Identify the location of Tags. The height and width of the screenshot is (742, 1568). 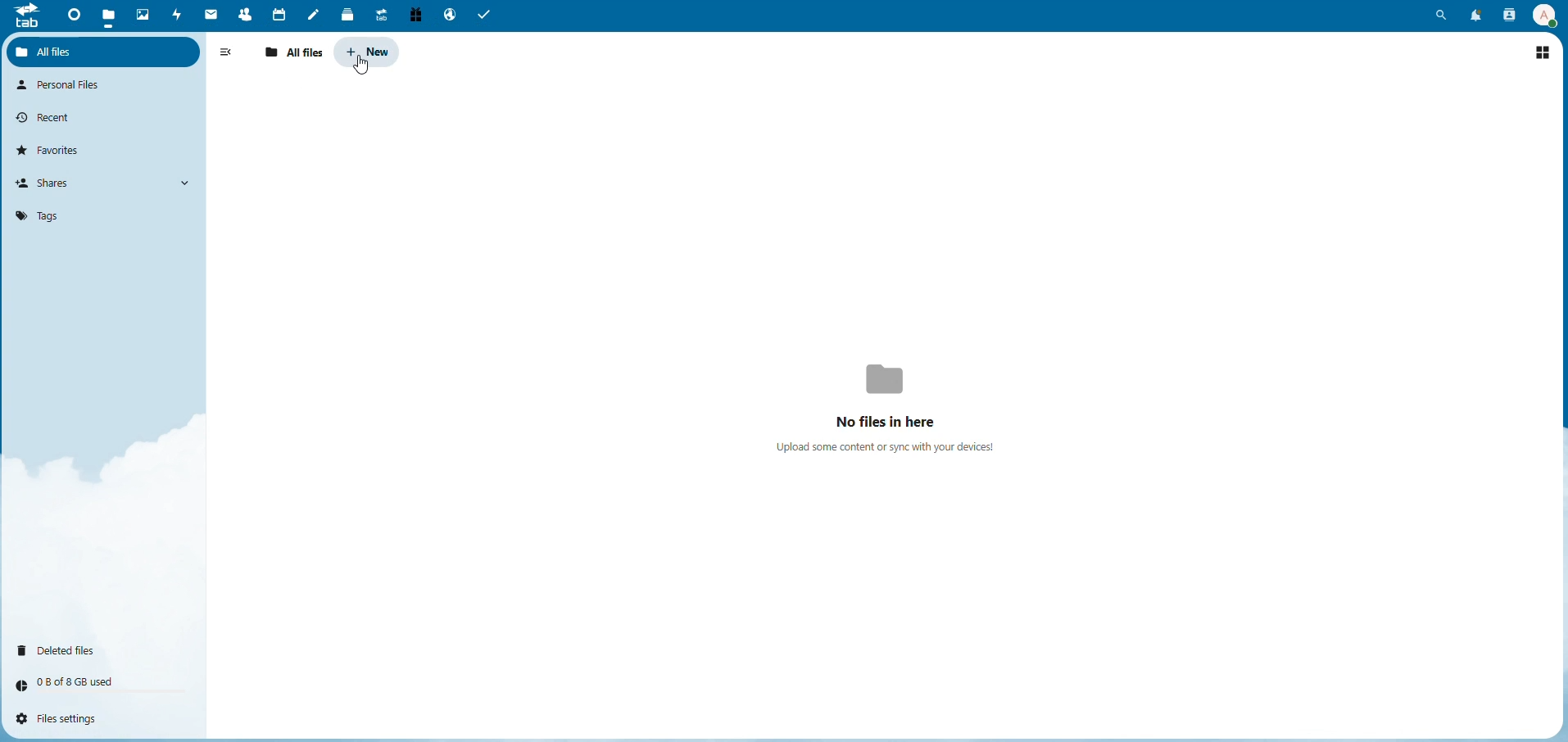
(37, 215).